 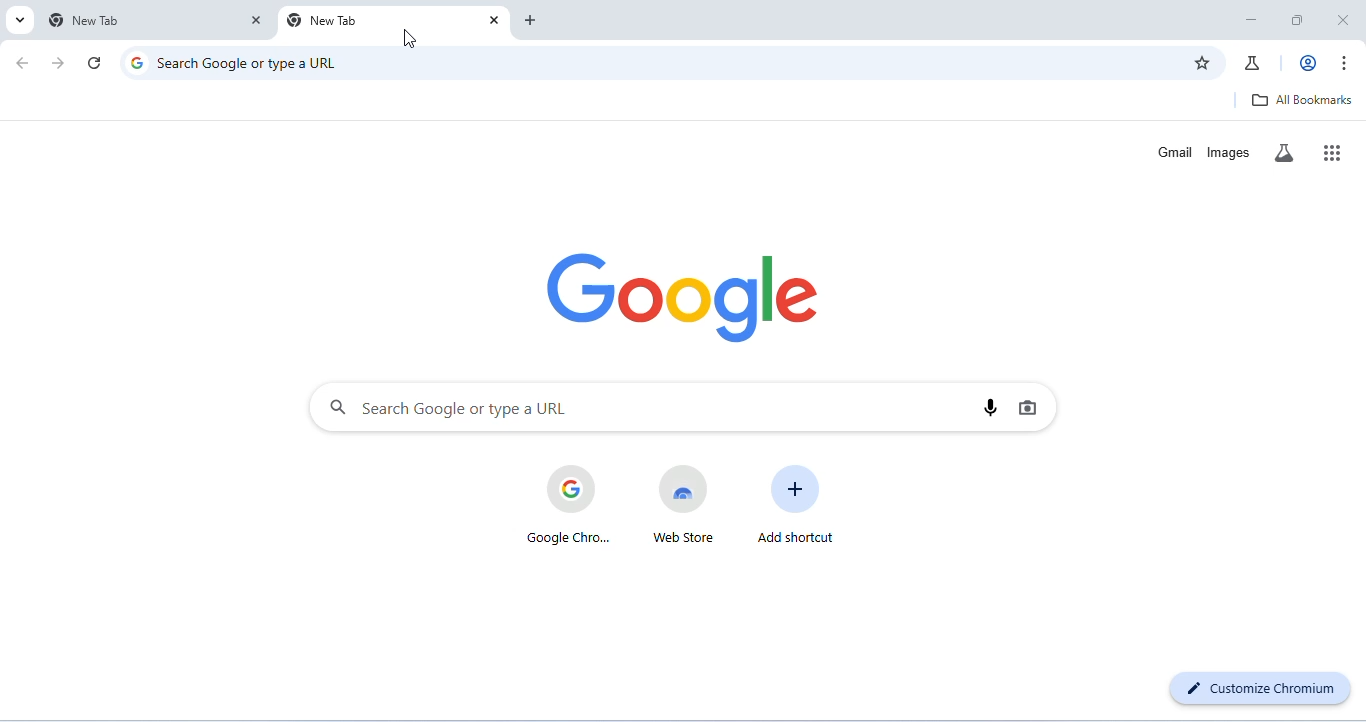 I want to click on maximize, so click(x=1299, y=20).